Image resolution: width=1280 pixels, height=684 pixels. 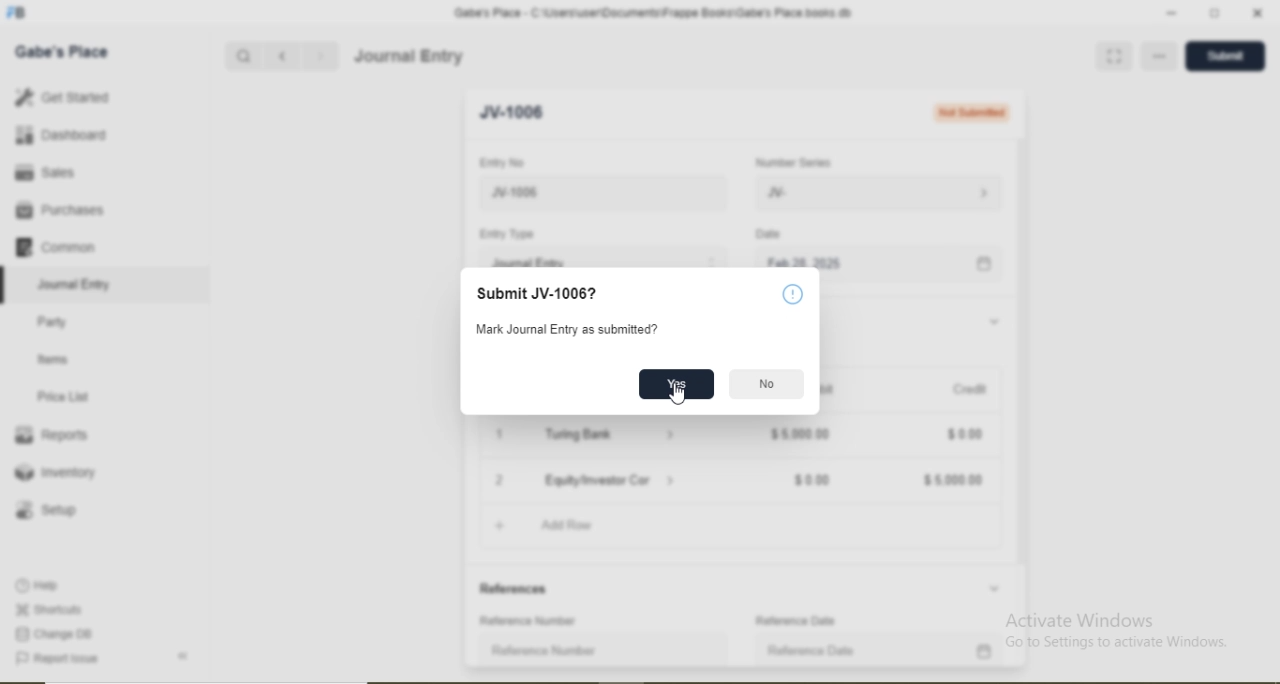 I want to click on Items, so click(x=53, y=359).